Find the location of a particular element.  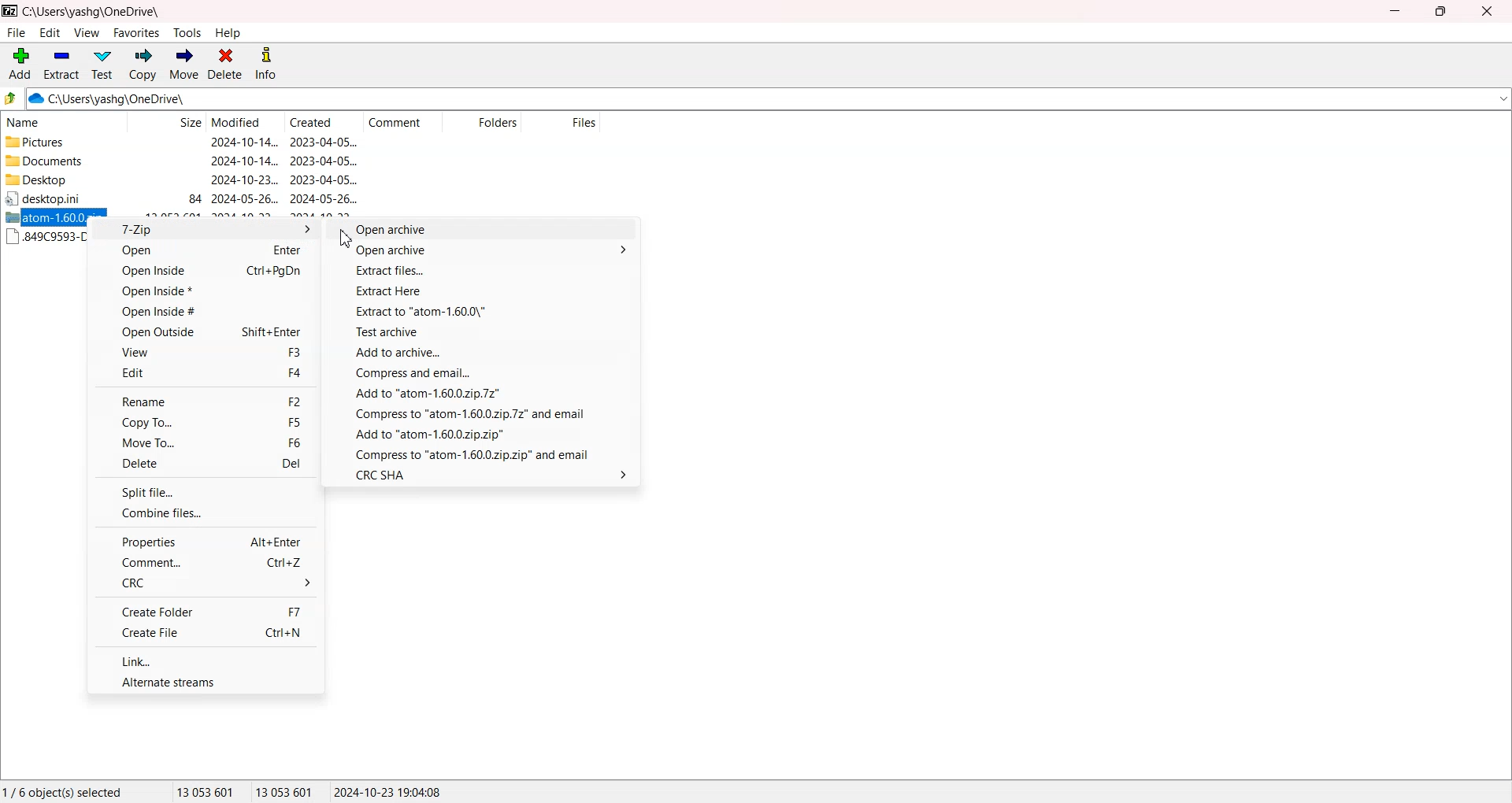

Add to is located at coordinates (484, 435).